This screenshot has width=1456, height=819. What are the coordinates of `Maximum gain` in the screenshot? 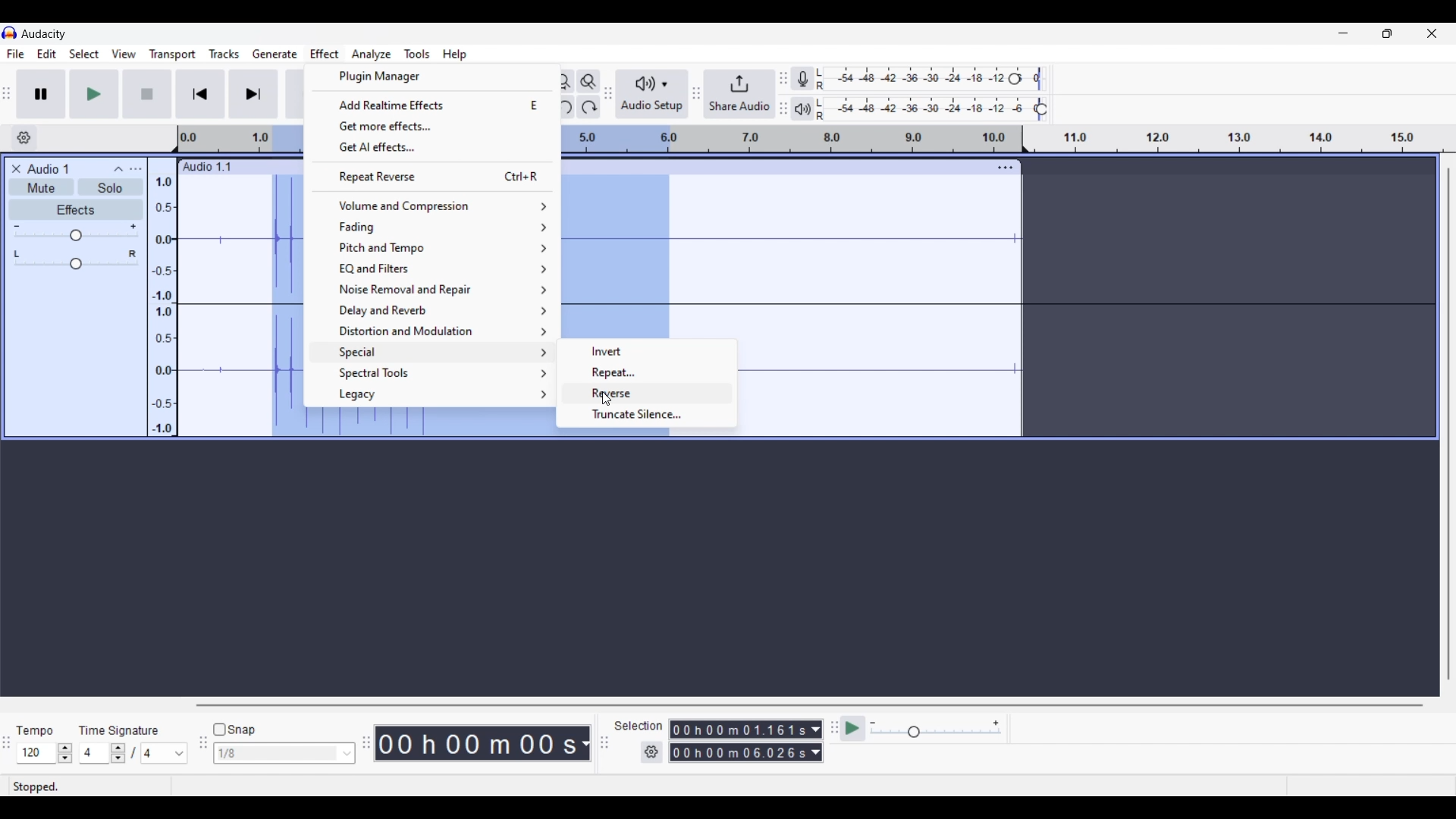 It's located at (133, 226).